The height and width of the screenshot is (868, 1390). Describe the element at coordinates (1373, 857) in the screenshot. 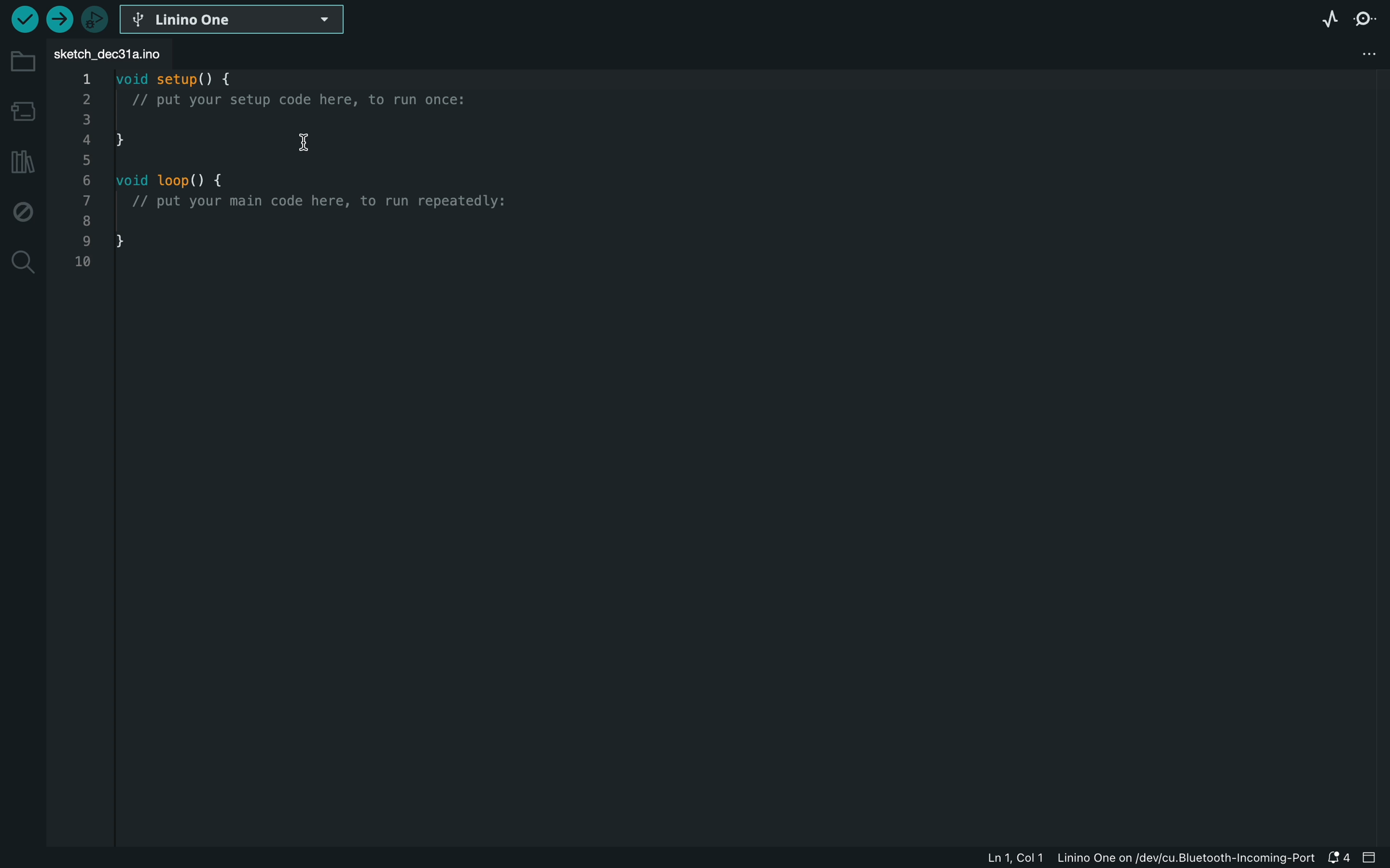

I see `close bar` at that location.